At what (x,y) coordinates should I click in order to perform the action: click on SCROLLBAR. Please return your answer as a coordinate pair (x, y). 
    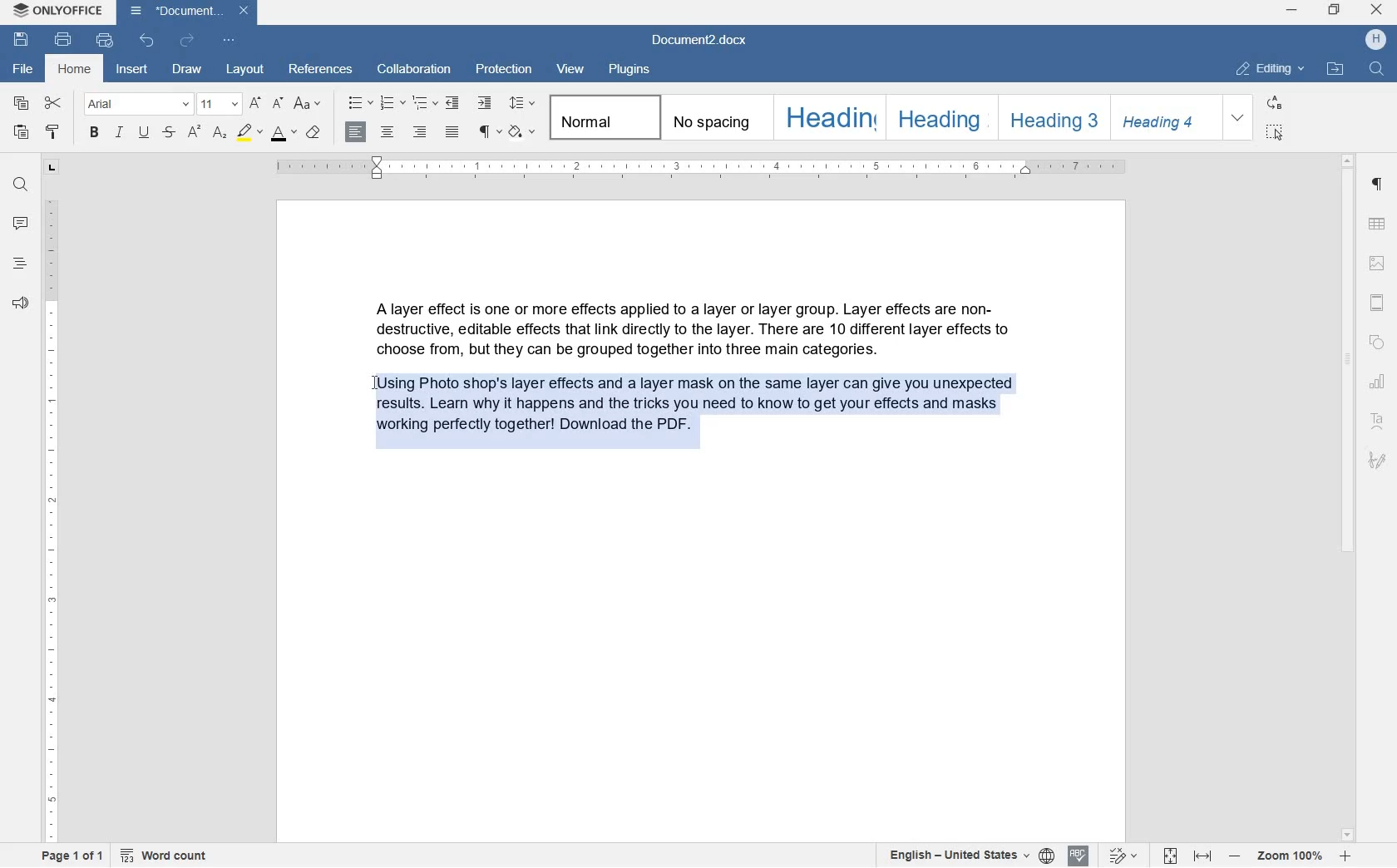
    Looking at the image, I should click on (1348, 498).